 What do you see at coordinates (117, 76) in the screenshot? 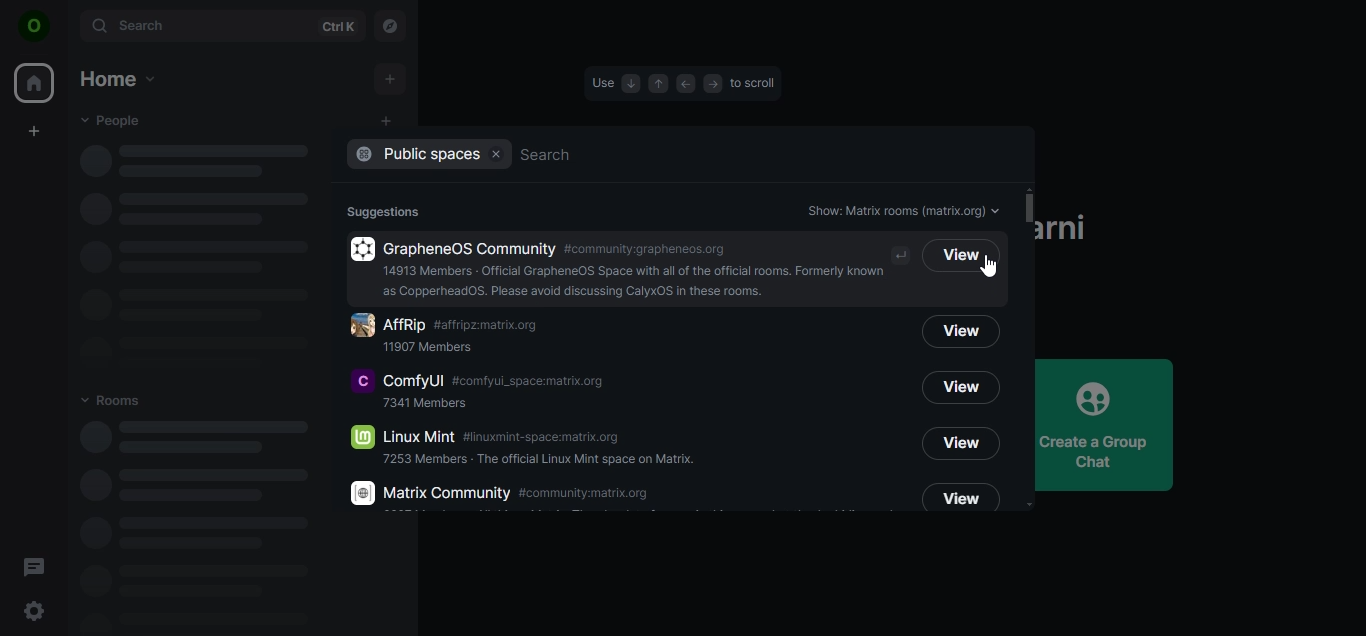
I see `home` at bounding box center [117, 76].